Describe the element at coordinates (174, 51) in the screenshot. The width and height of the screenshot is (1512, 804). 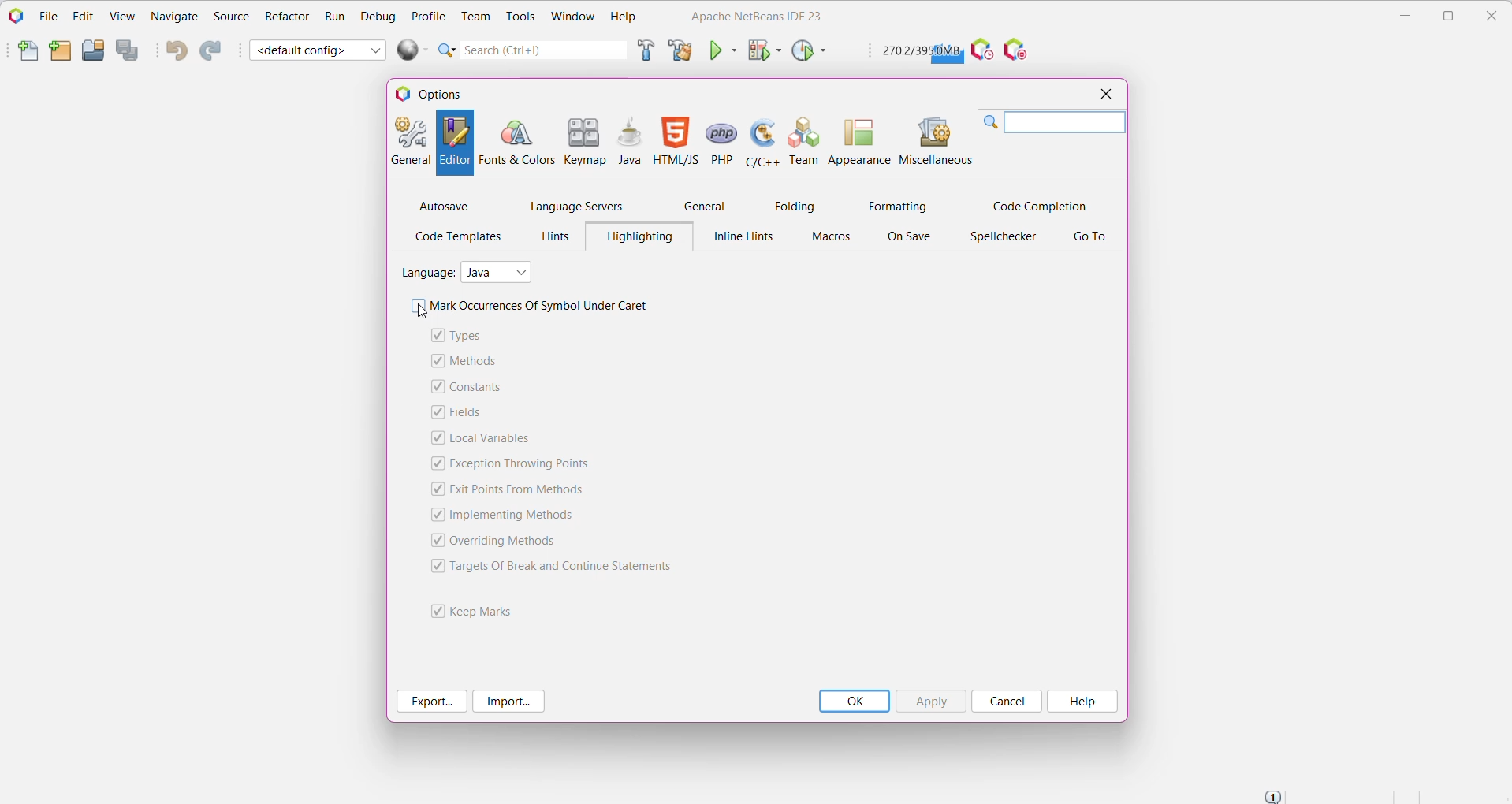
I see `Undo` at that location.